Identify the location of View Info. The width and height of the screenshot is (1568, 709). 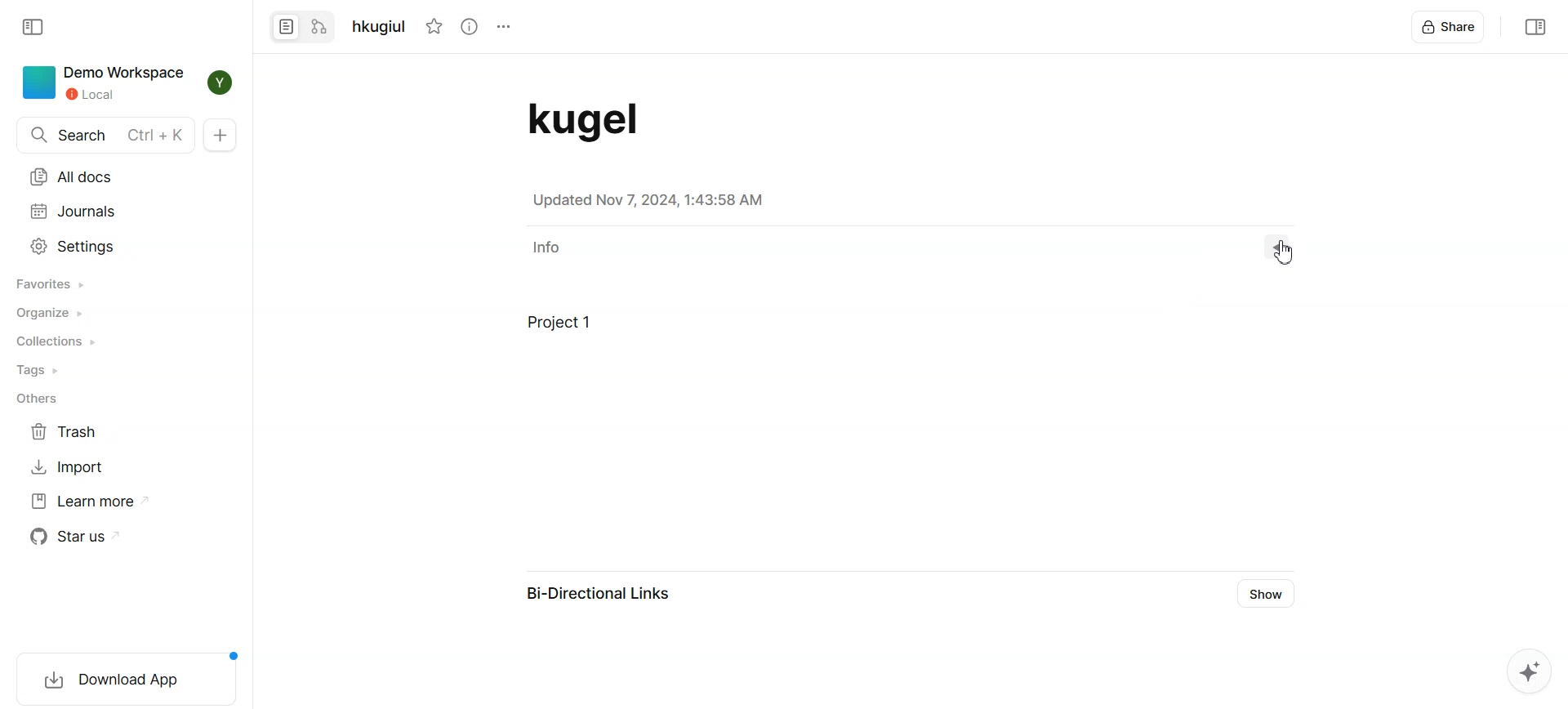
(470, 26).